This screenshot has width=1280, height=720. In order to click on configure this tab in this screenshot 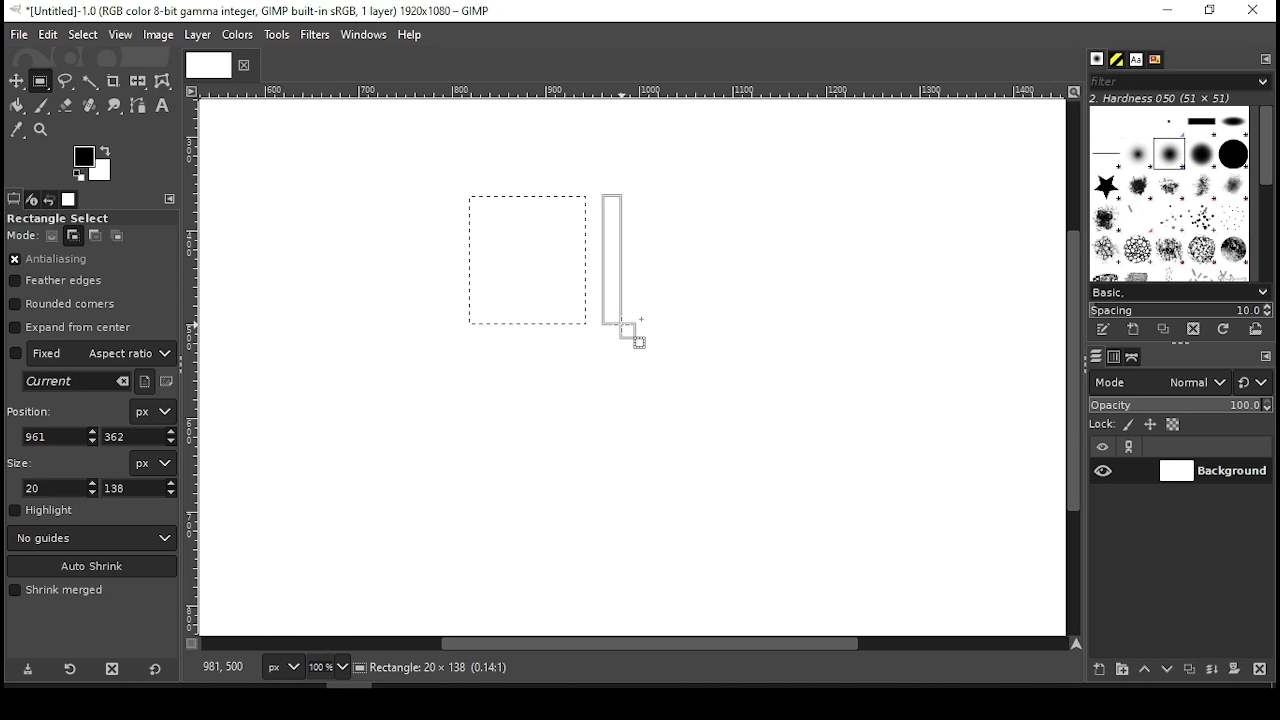, I will do `click(172, 199)`.